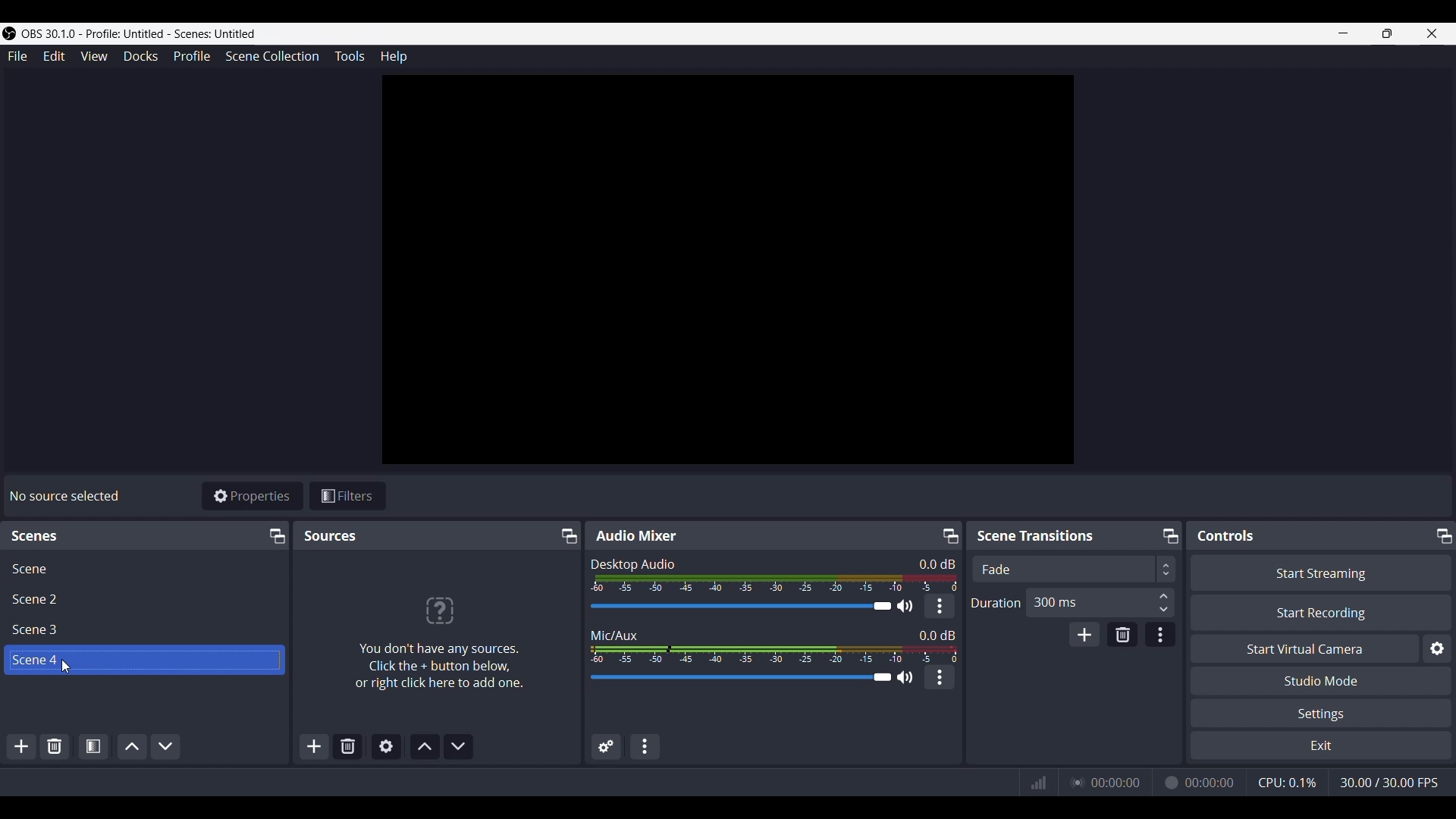 The width and height of the screenshot is (1456, 819). What do you see at coordinates (905, 606) in the screenshot?
I see `Speaker Icon` at bounding box center [905, 606].